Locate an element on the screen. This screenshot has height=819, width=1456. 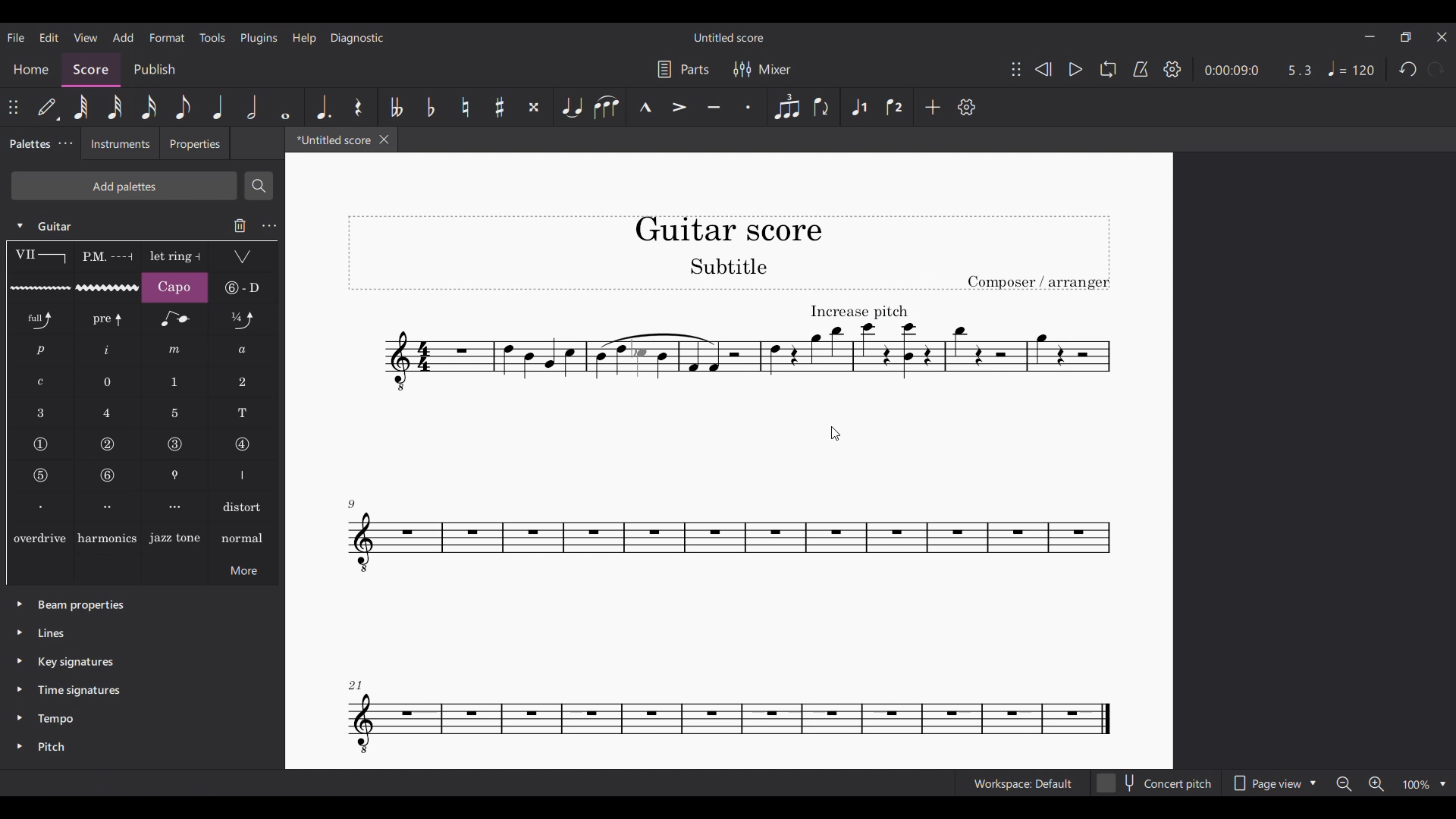
Staccato is located at coordinates (748, 107).